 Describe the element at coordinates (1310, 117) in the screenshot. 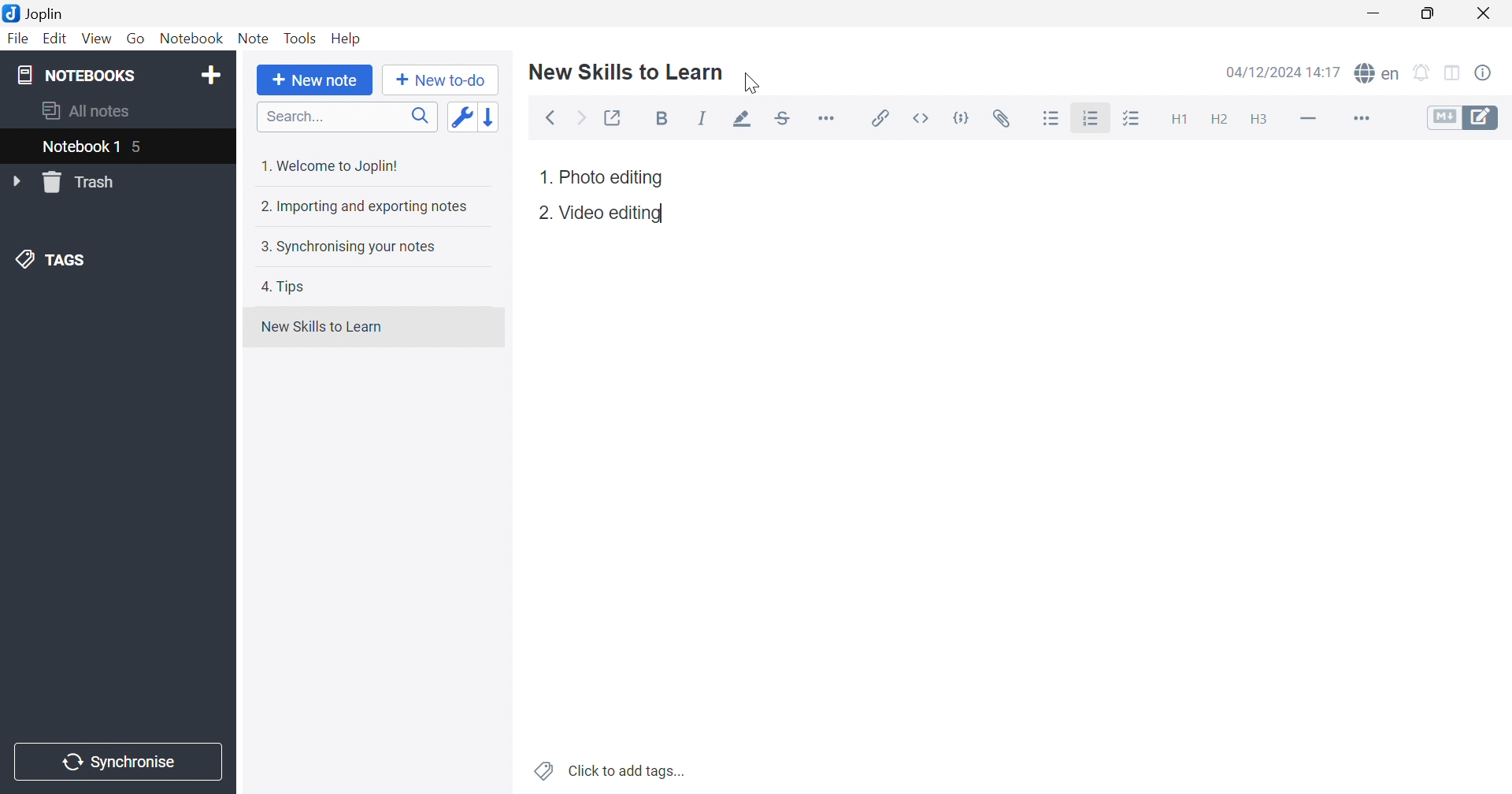

I see `Horizontal line` at that location.